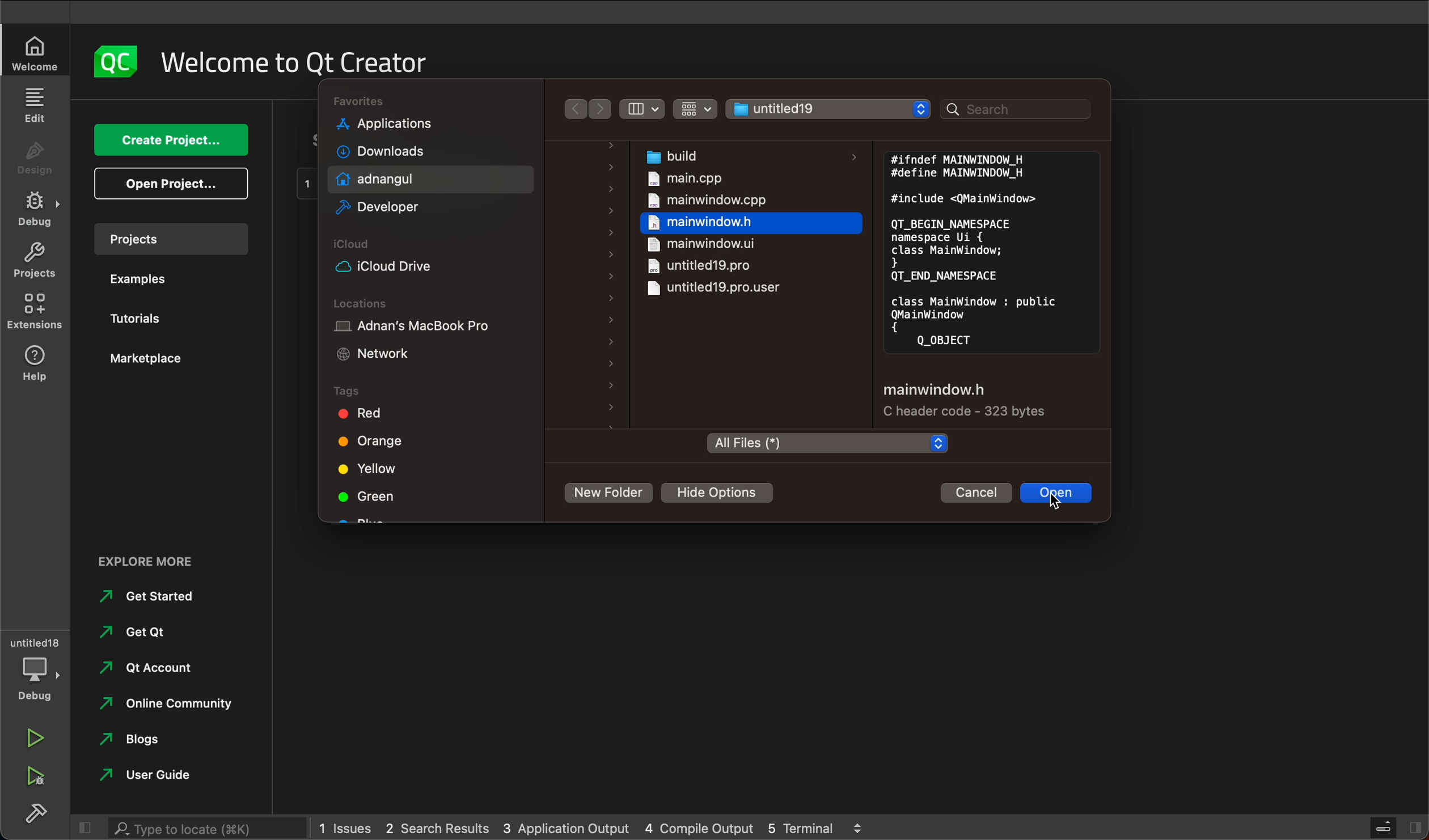 This screenshot has height=840, width=1429. I want to click on new folder, so click(613, 495).